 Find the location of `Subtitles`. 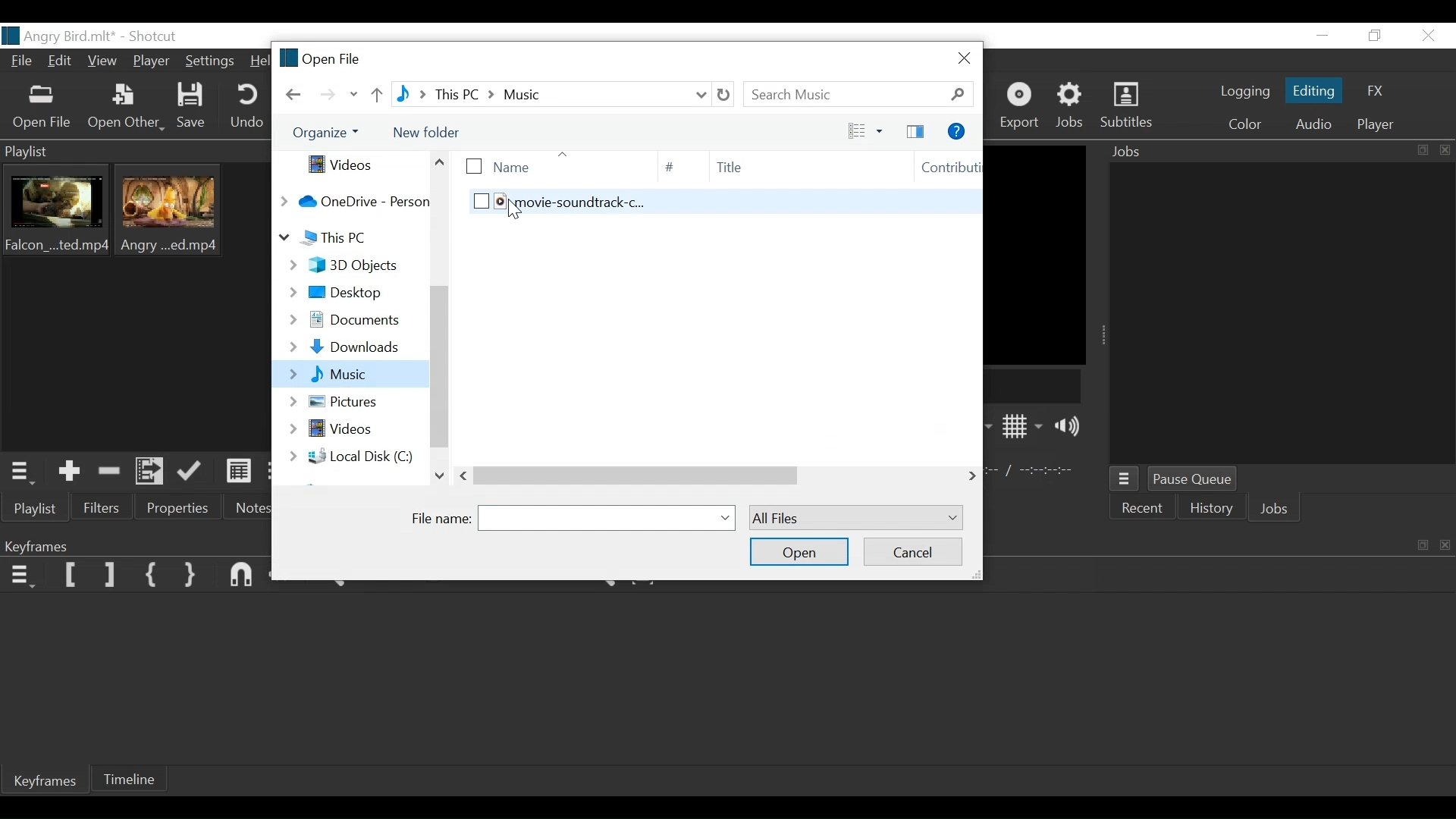

Subtitles is located at coordinates (1132, 106).